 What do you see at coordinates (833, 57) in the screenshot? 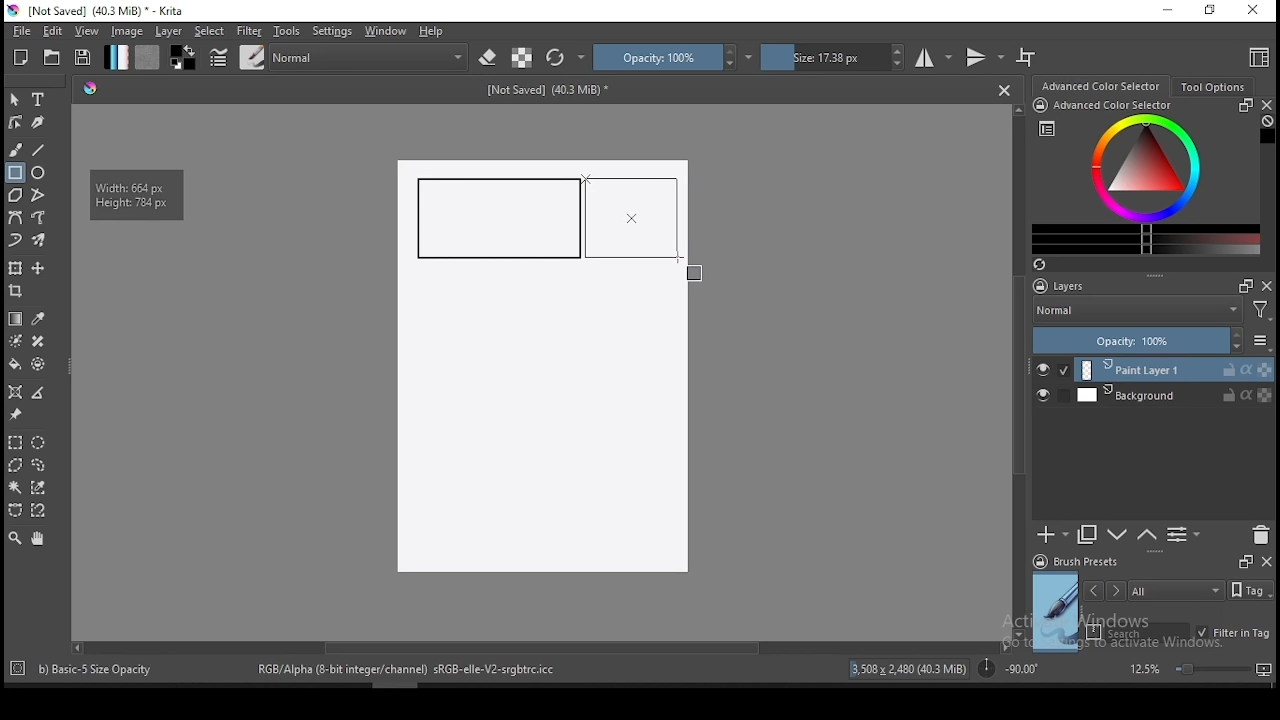
I see `size` at bounding box center [833, 57].